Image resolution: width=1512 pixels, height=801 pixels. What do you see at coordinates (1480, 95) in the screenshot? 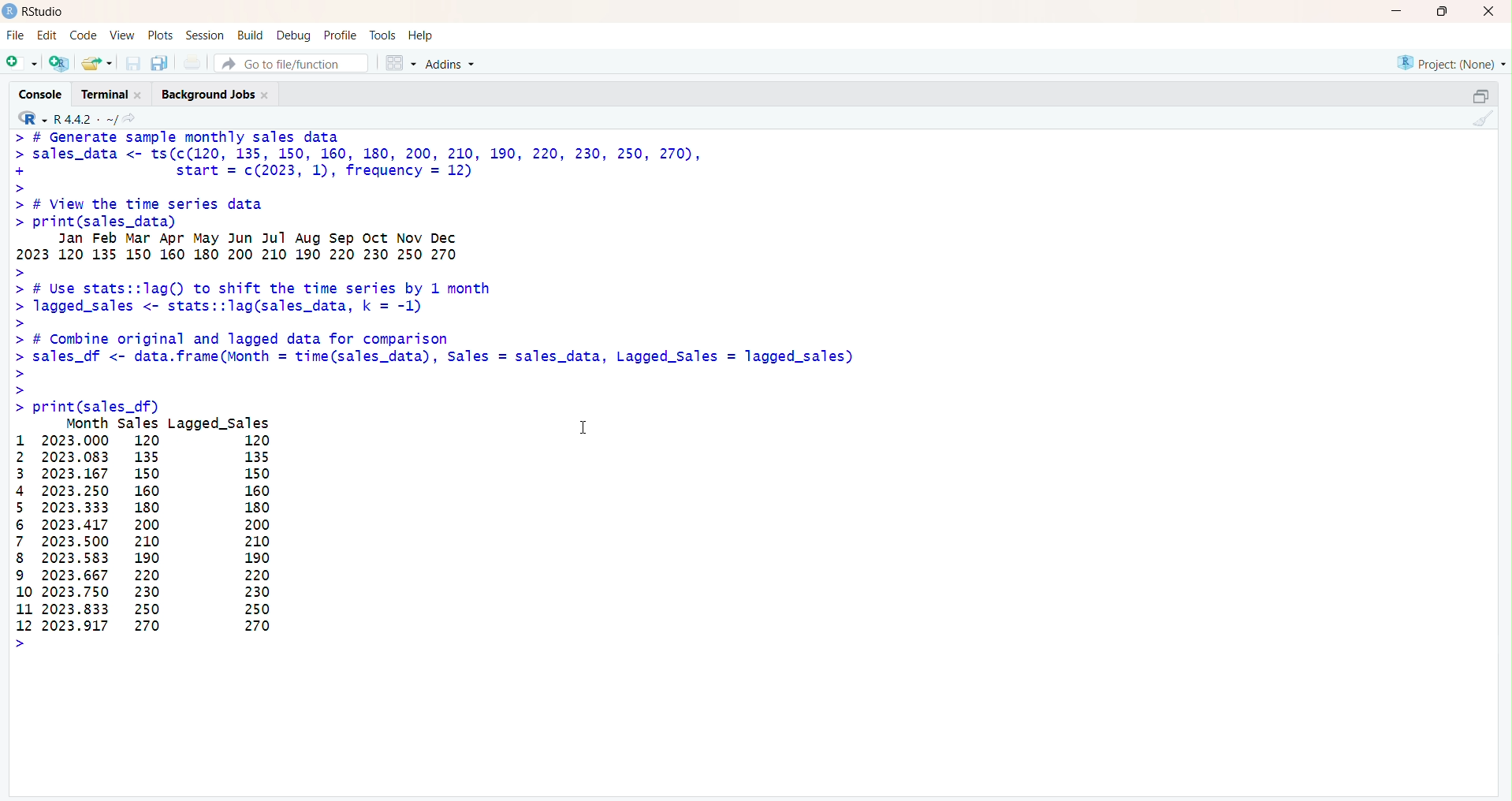
I see `collapse` at bounding box center [1480, 95].